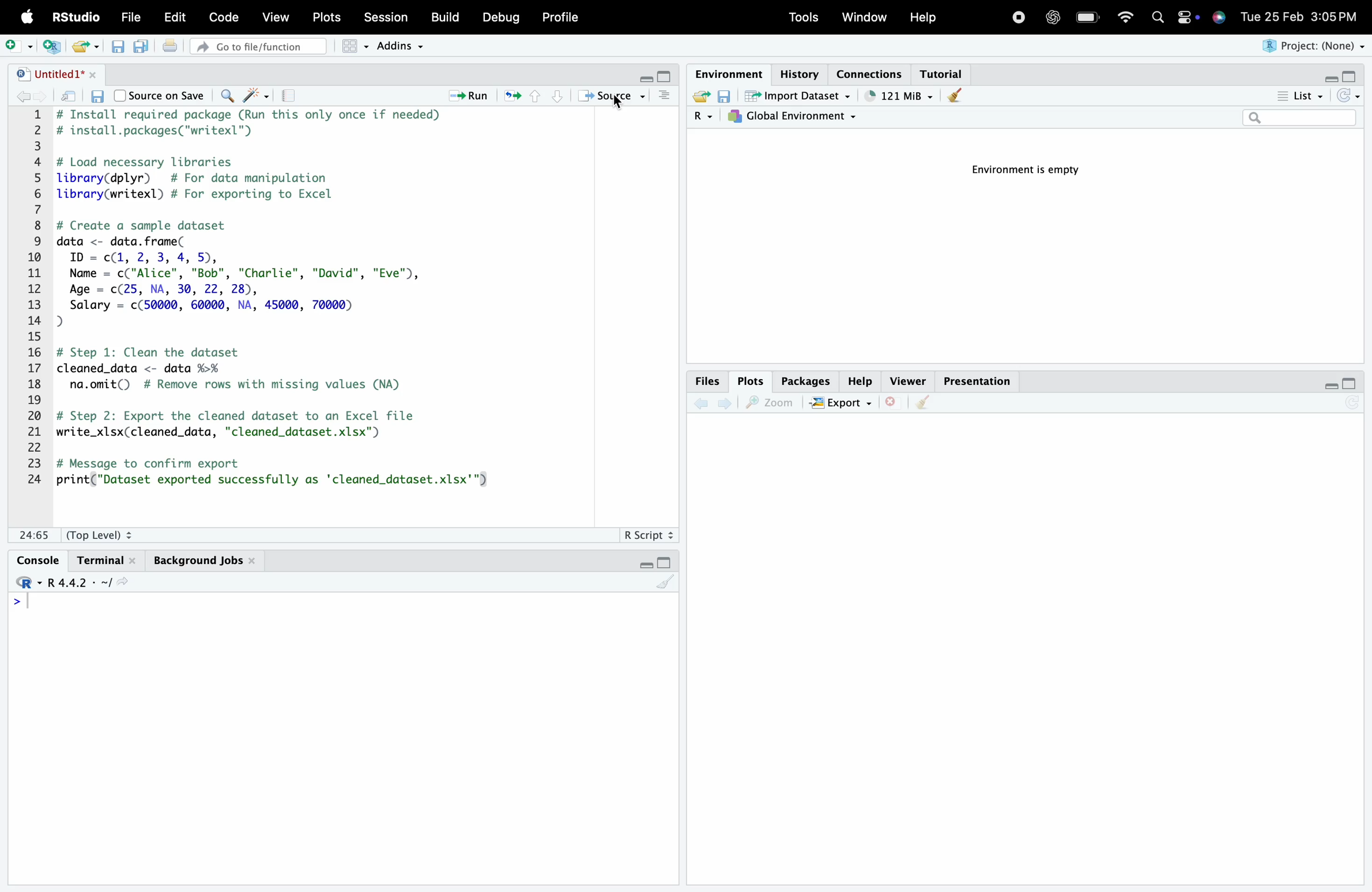 This screenshot has width=1372, height=892. I want to click on Environment, so click(728, 73).